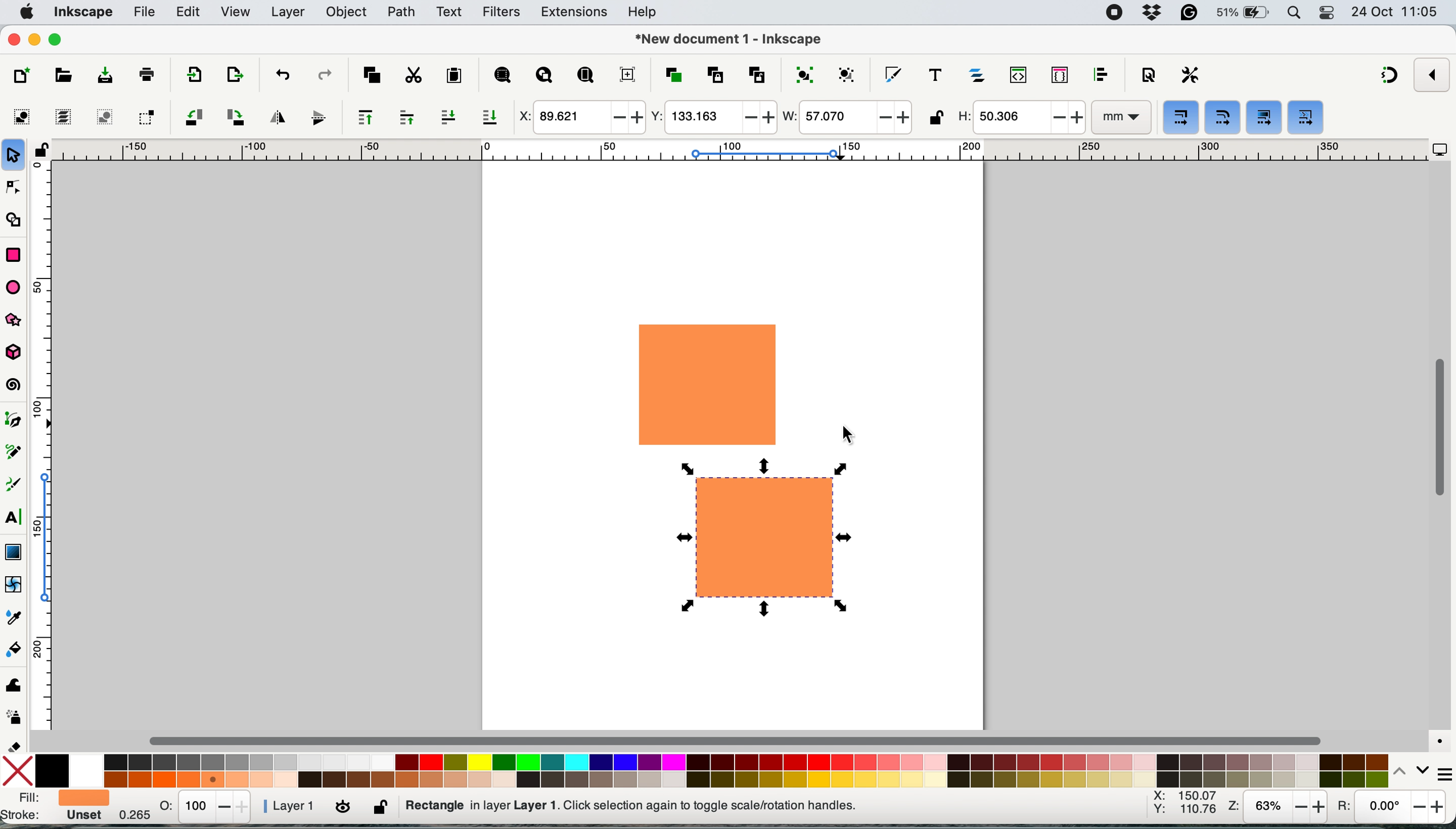 This screenshot has height=829, width=1456. Describe the element at coordinates (448, 117) in the screenshot. I see `lower selection one step` at that location.